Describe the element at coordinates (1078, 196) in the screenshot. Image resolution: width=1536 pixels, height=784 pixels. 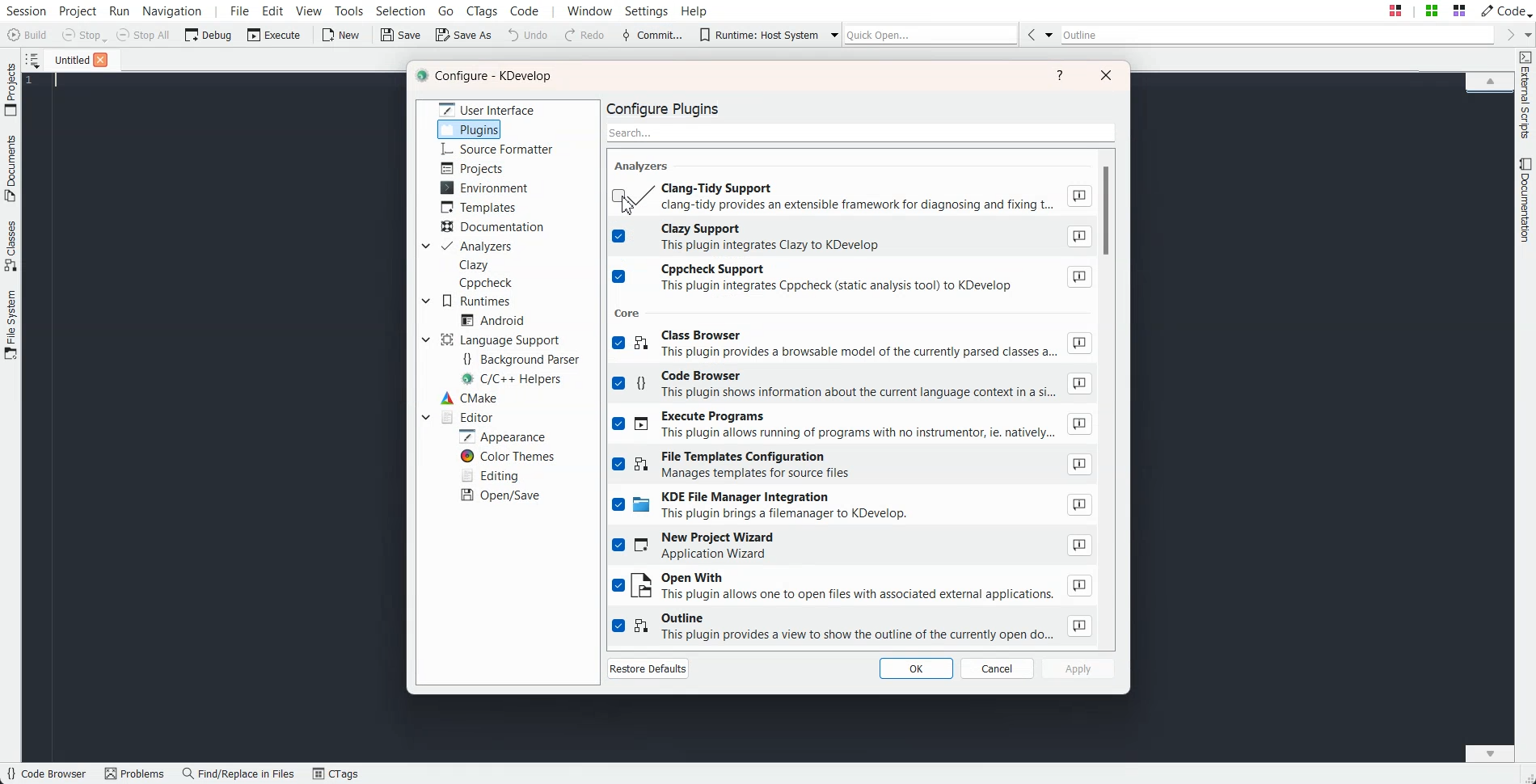
I see `About` at that location.